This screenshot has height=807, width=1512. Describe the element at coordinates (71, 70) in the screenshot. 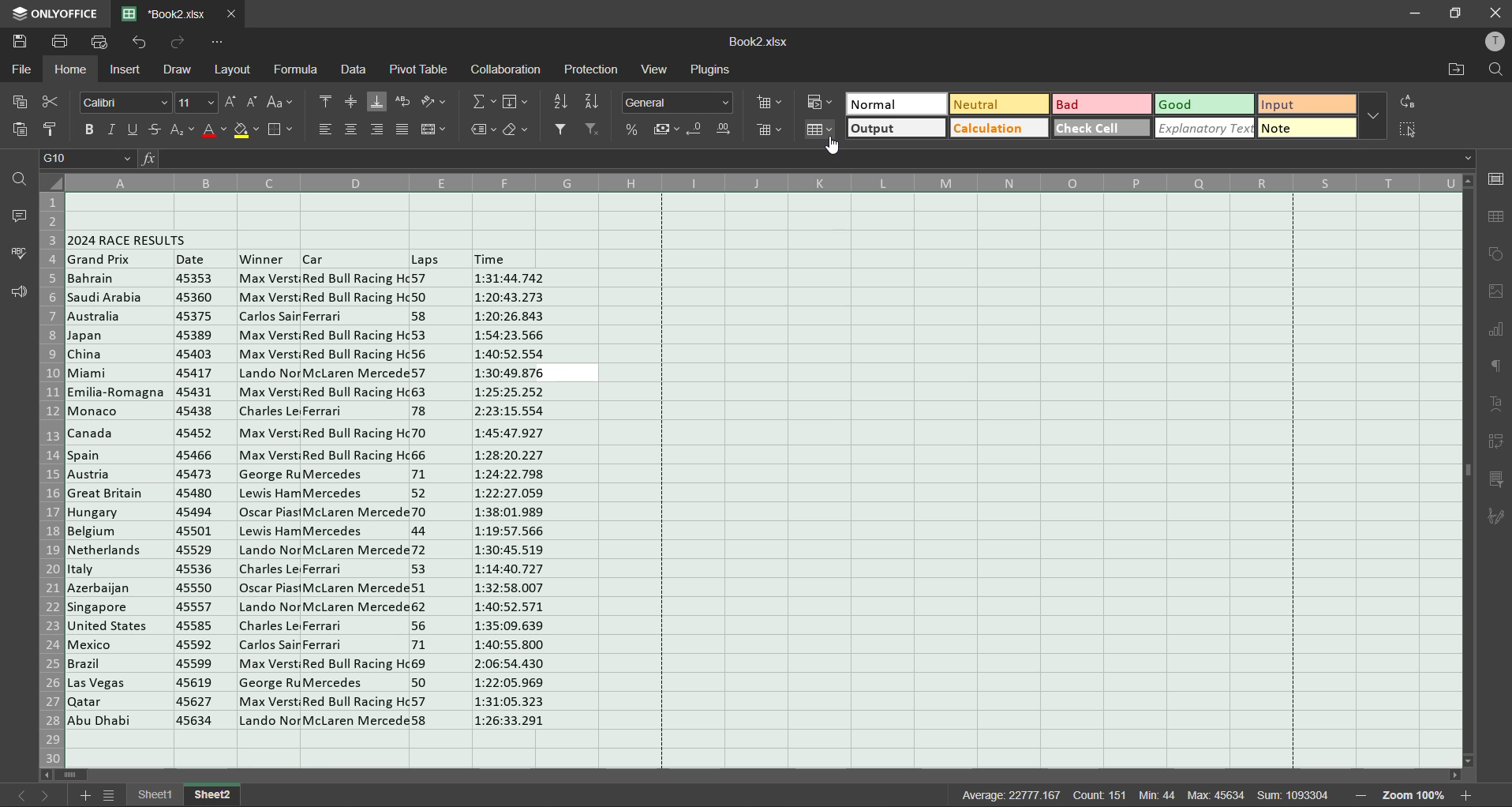

I see `home` at that location.